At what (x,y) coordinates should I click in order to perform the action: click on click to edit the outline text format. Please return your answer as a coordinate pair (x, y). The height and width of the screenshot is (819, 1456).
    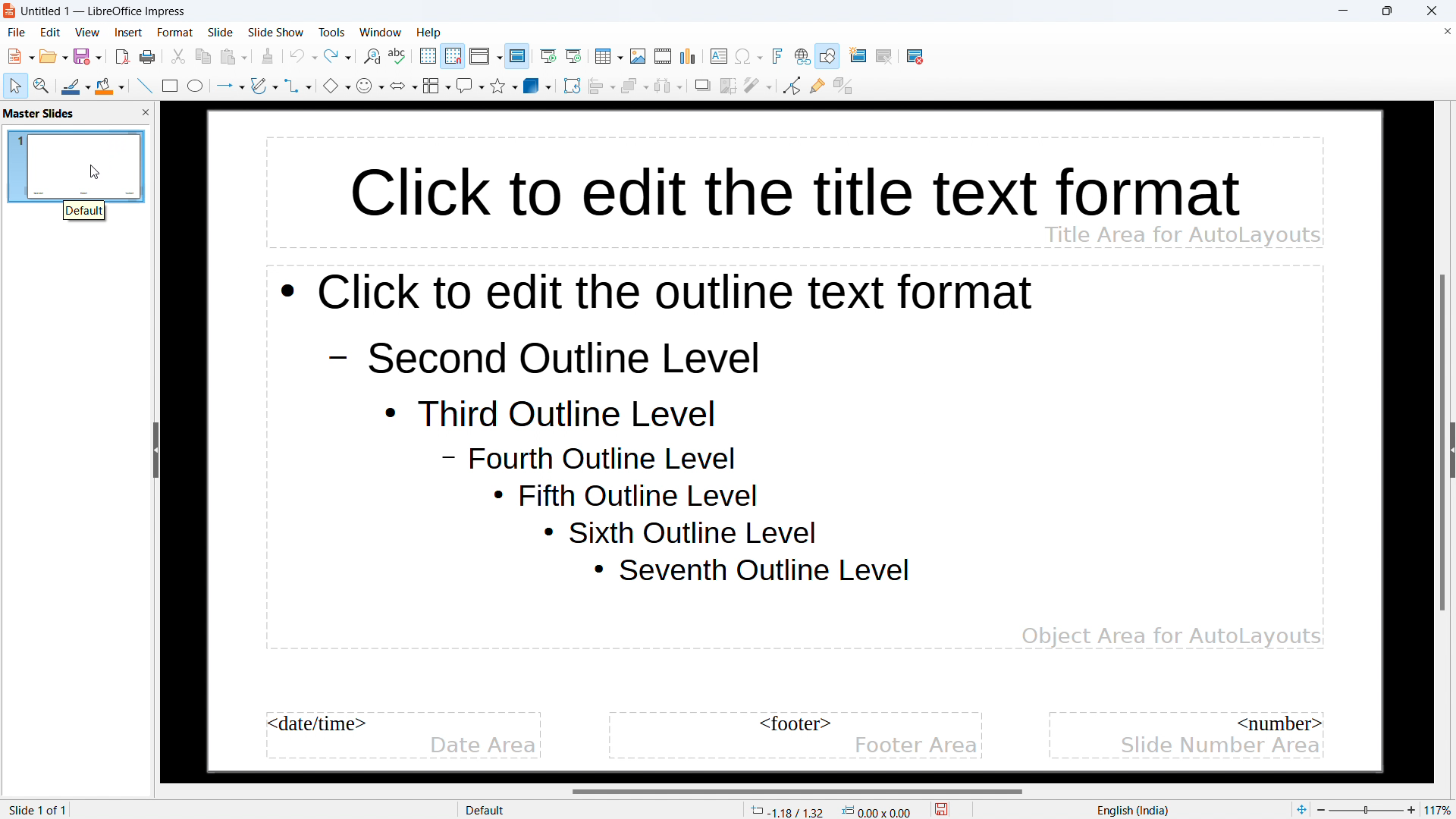
    Looking at the image, I should click on (664, 296).